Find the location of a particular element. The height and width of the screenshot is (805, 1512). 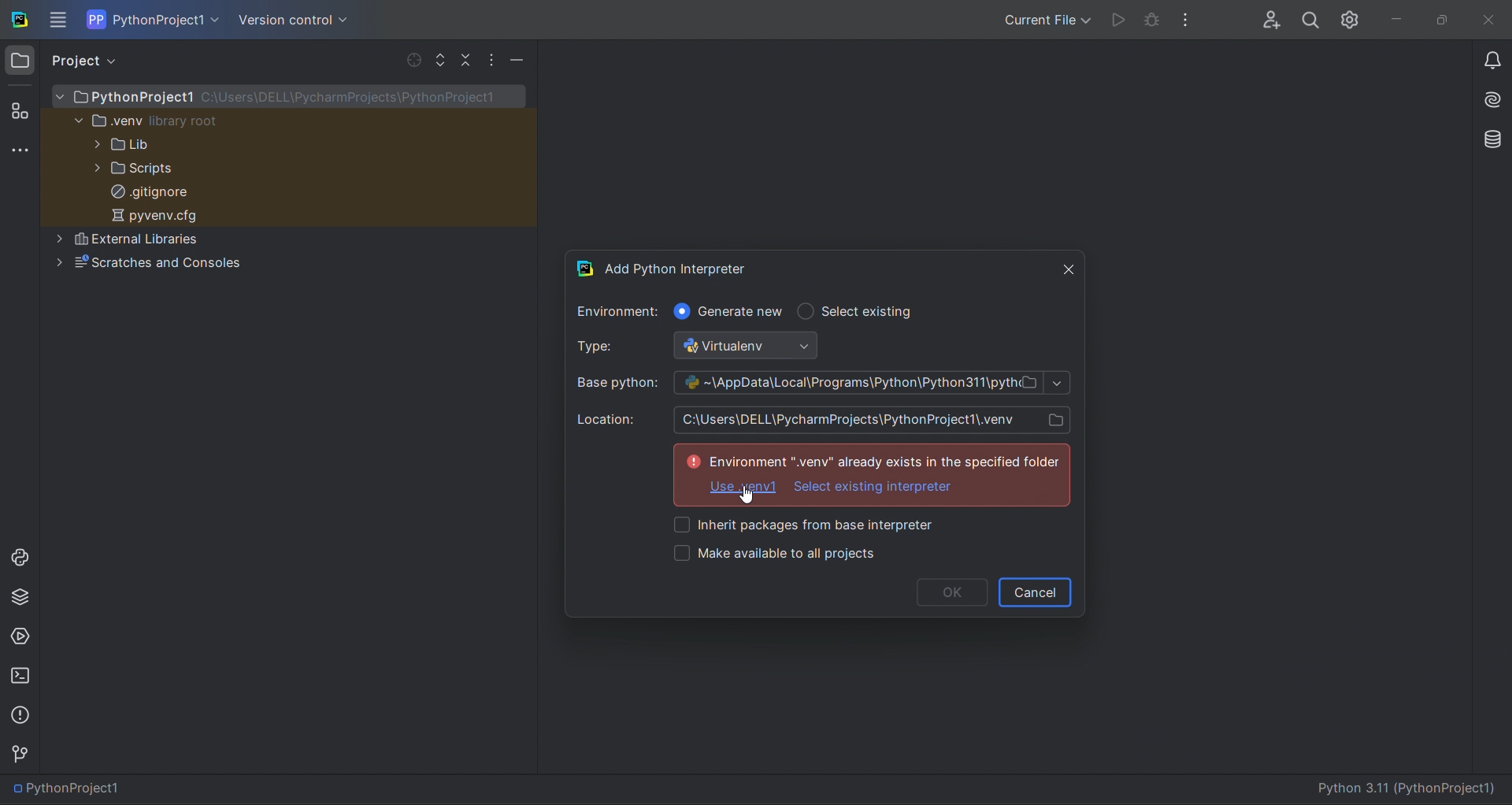

search is located at coordinates (1310, 17).